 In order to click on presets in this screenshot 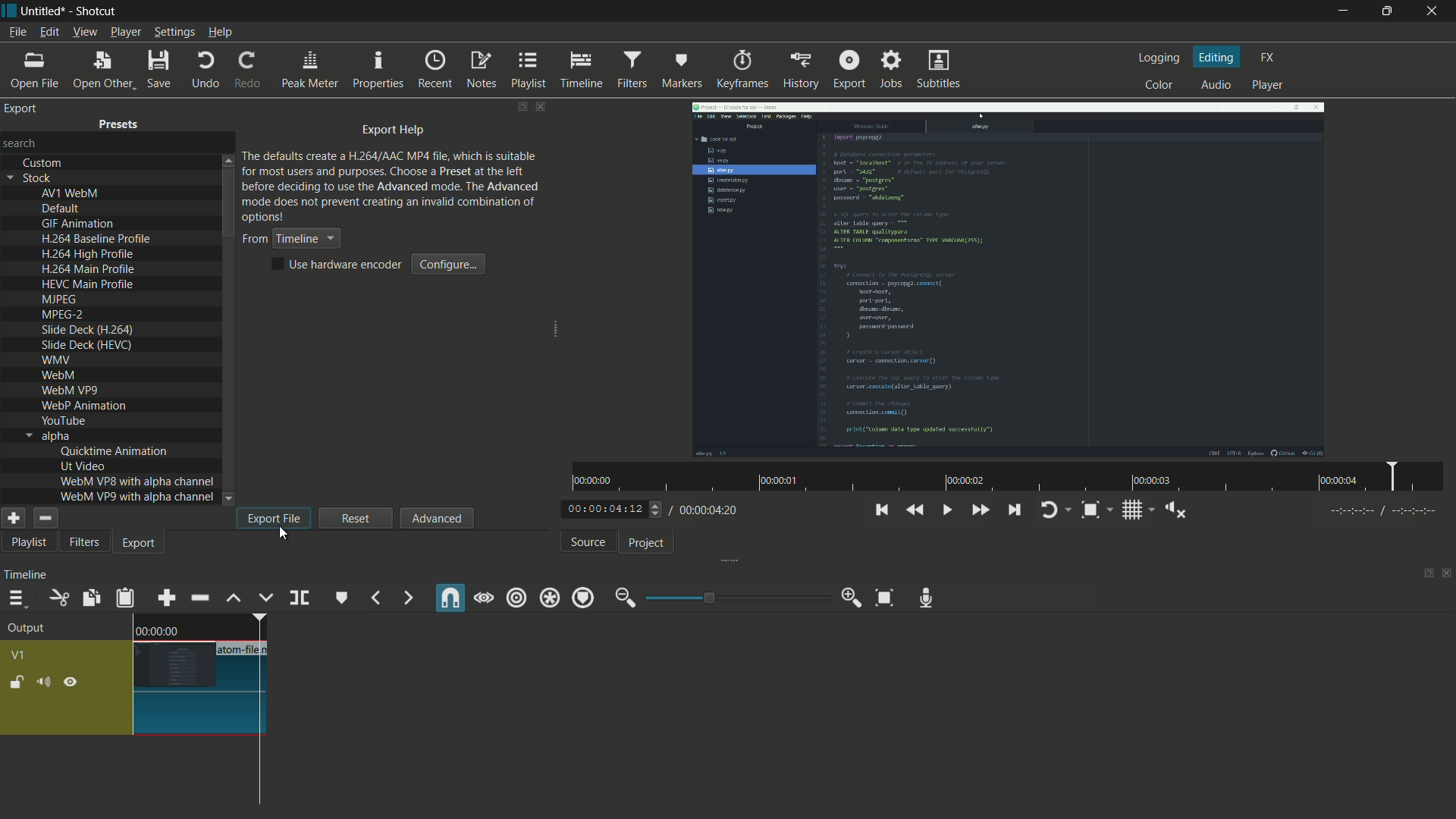, I will do `click(119, 127)`.